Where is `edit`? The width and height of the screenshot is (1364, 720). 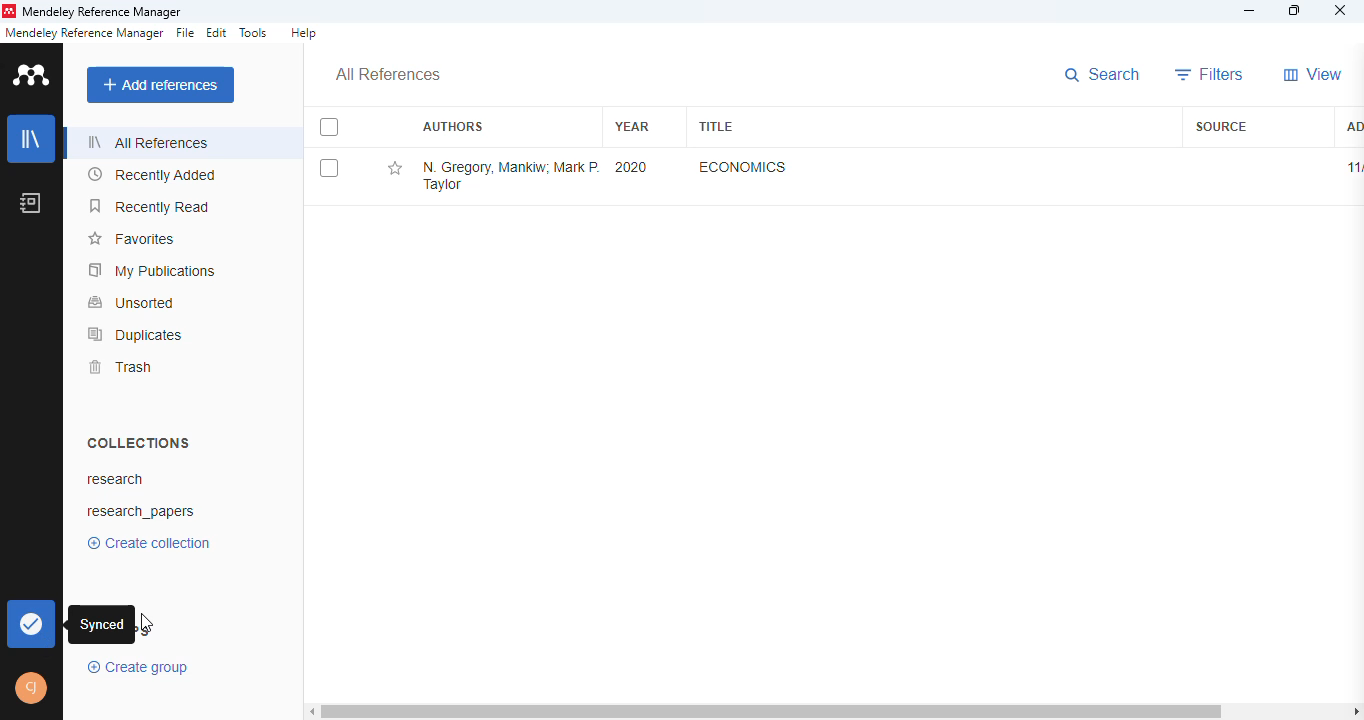 edit is located at coordinates (217, 33).